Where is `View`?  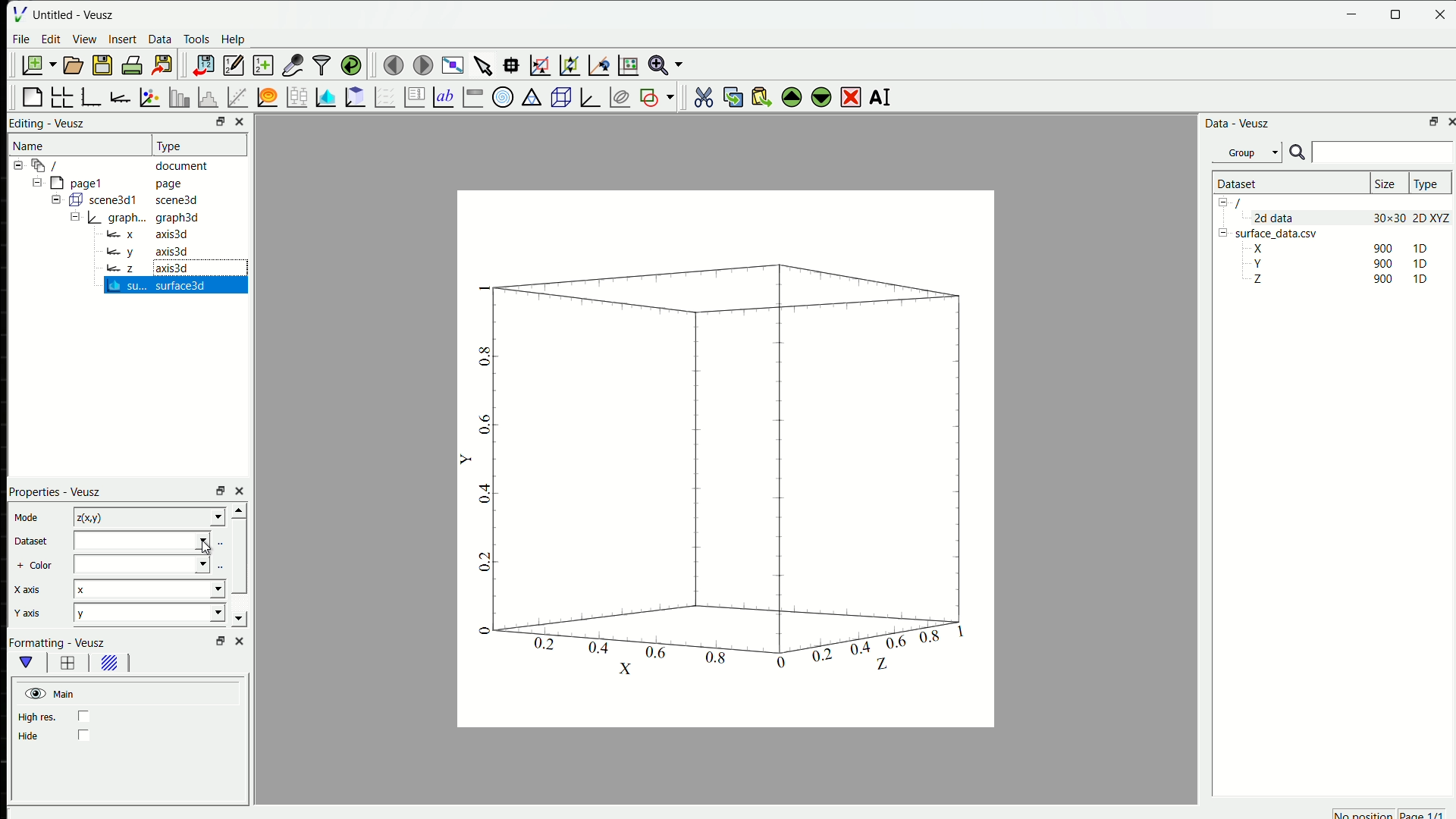
View is located at coordinates (86, 39).